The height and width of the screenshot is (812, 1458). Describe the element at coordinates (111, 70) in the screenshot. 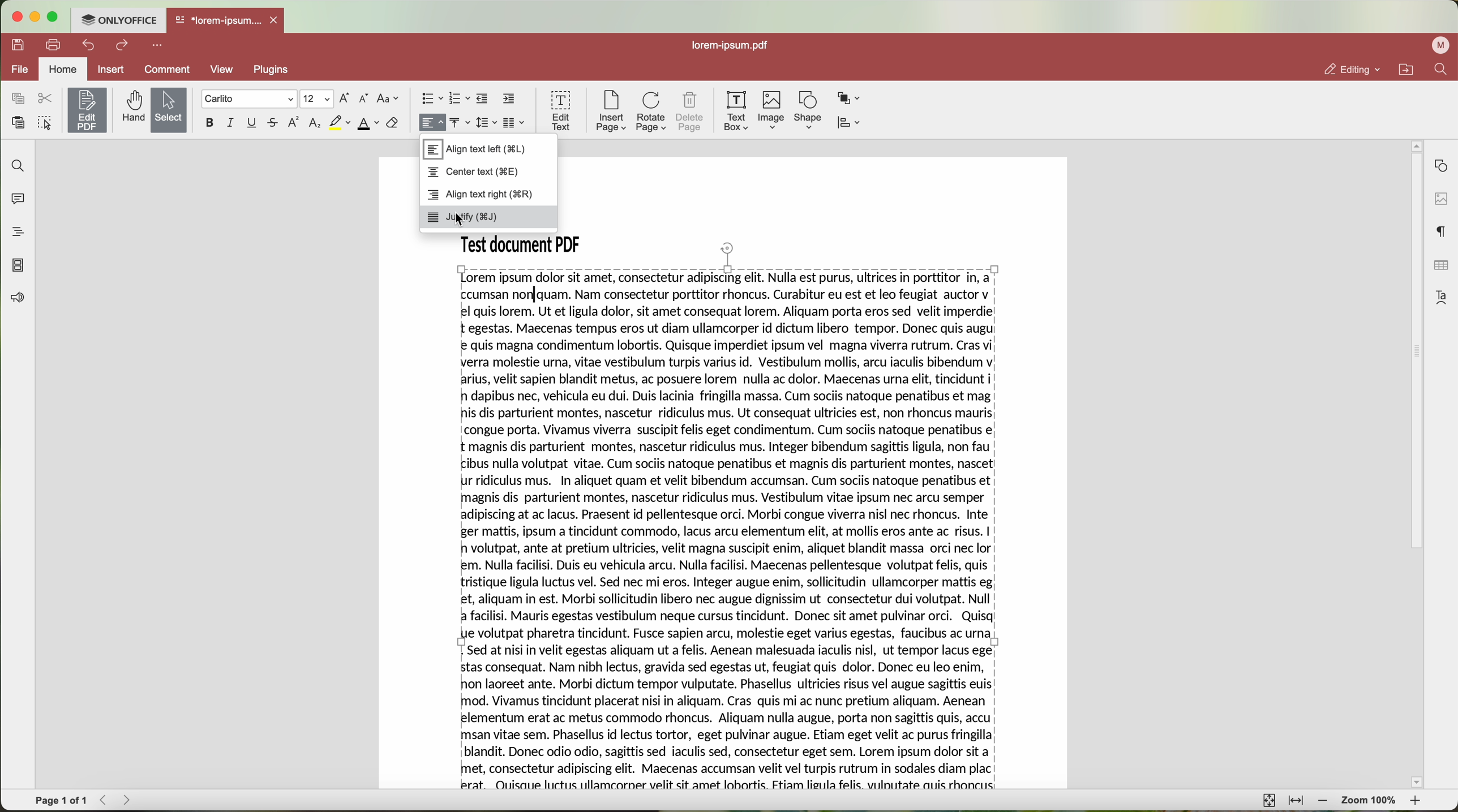

I see `insert` at that location.